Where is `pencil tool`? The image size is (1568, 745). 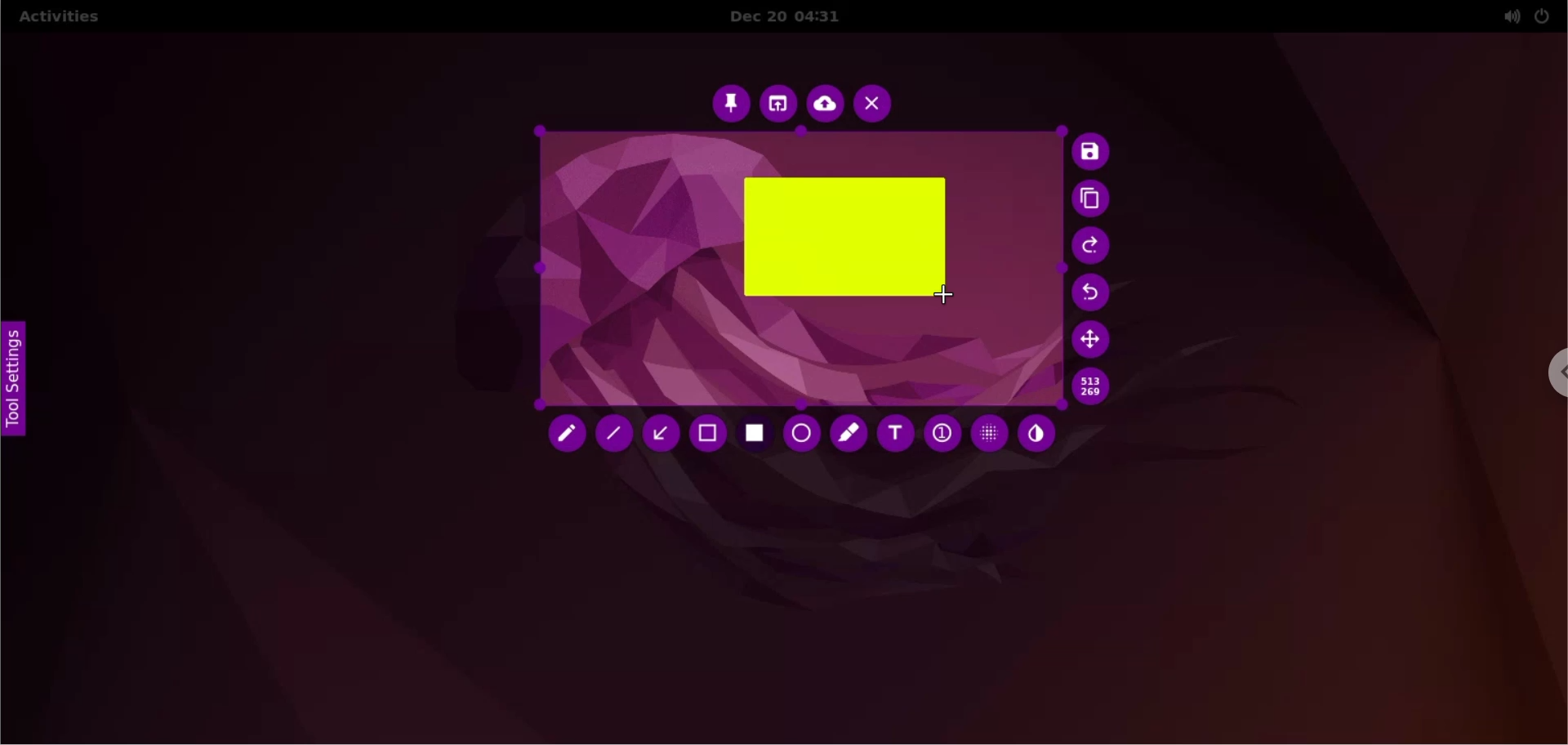
pencil tool is located at coordinates (561, 435).